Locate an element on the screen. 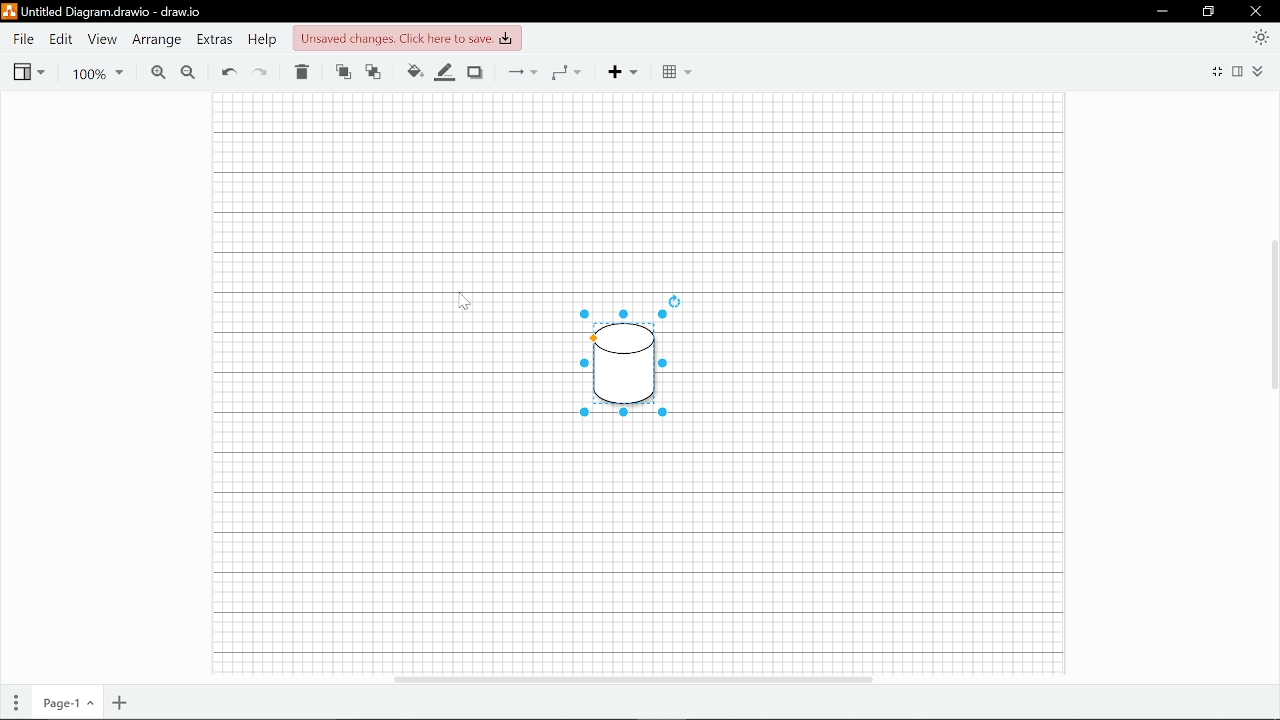  Current window is located at coordinates (100, 12).